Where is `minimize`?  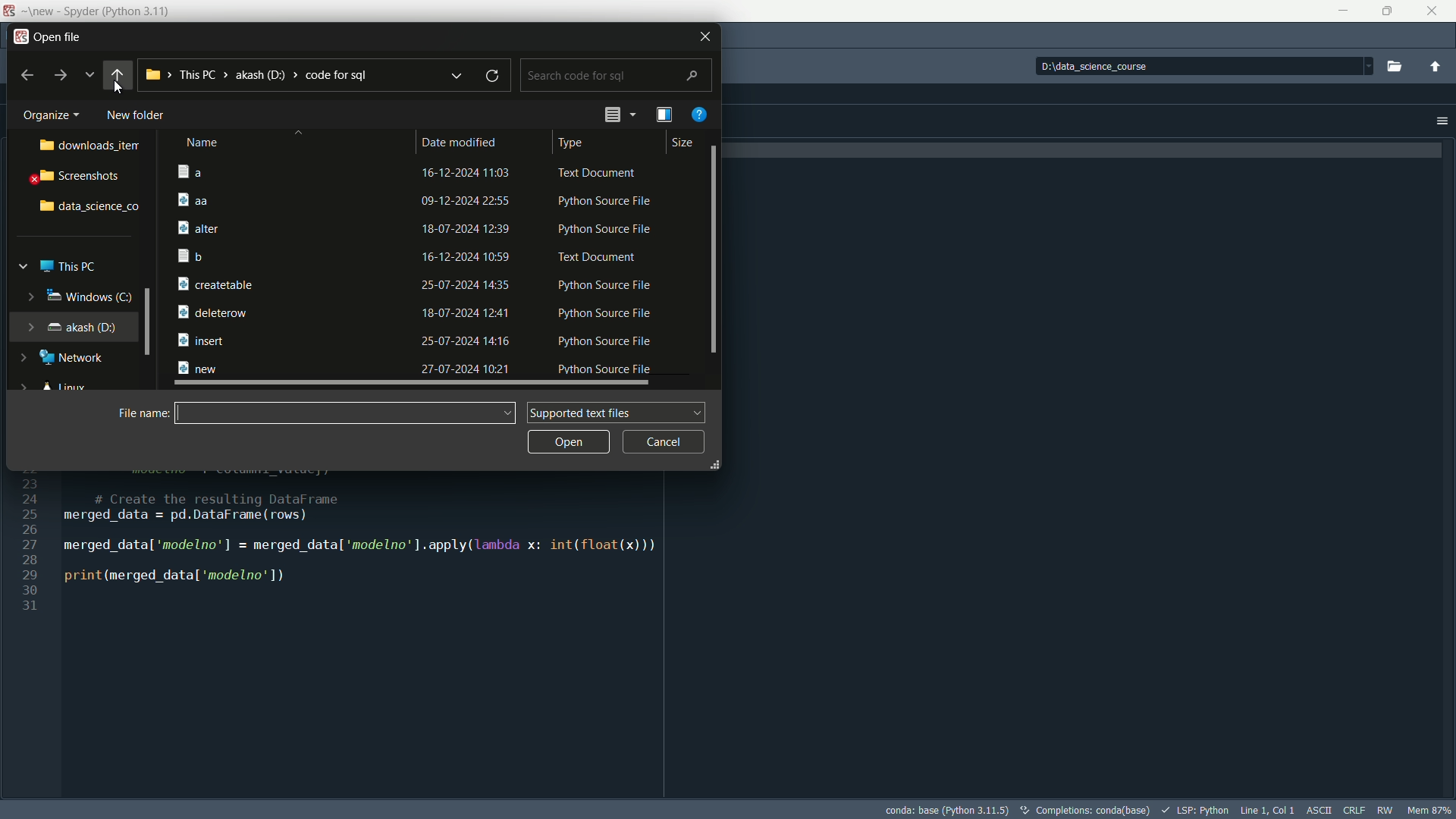
minimize is located at coordinates (1344, 10).